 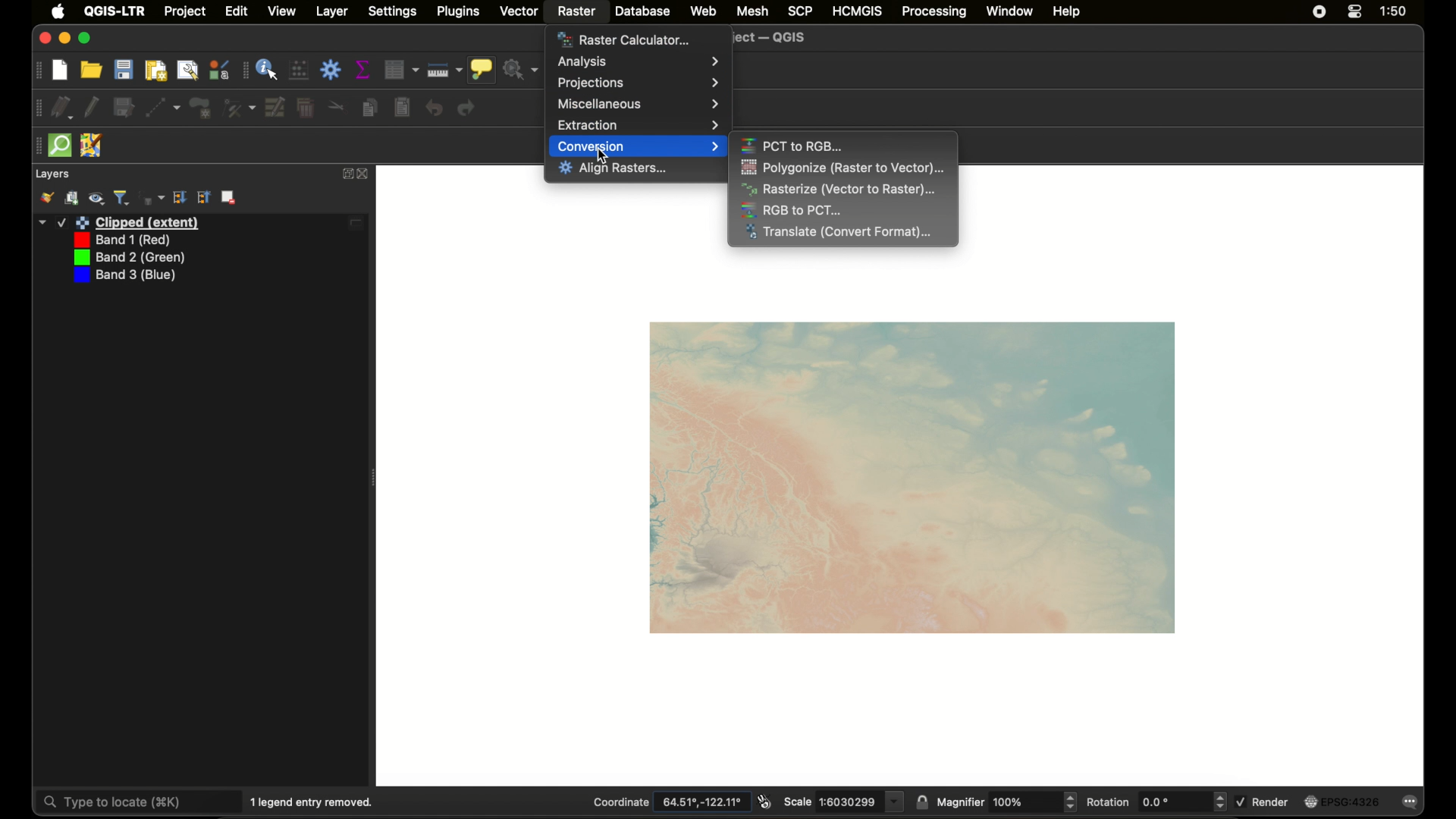 What do you see at coordinates (522, 70) in the screenshot?
I see `no action selected` at bounding box center [522, 70].